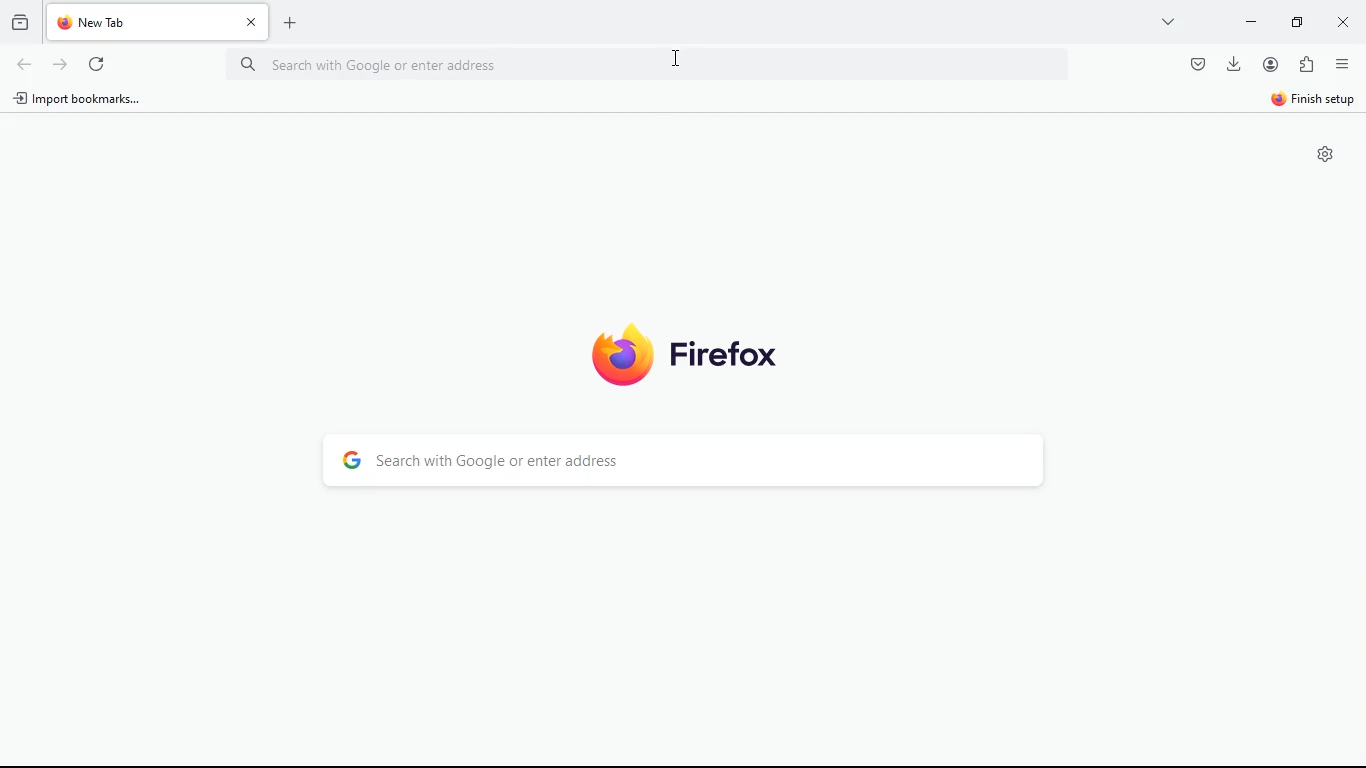 The height and width of the screenshot is (768, 1366). I want to click on pocket, so click(1196, 64).